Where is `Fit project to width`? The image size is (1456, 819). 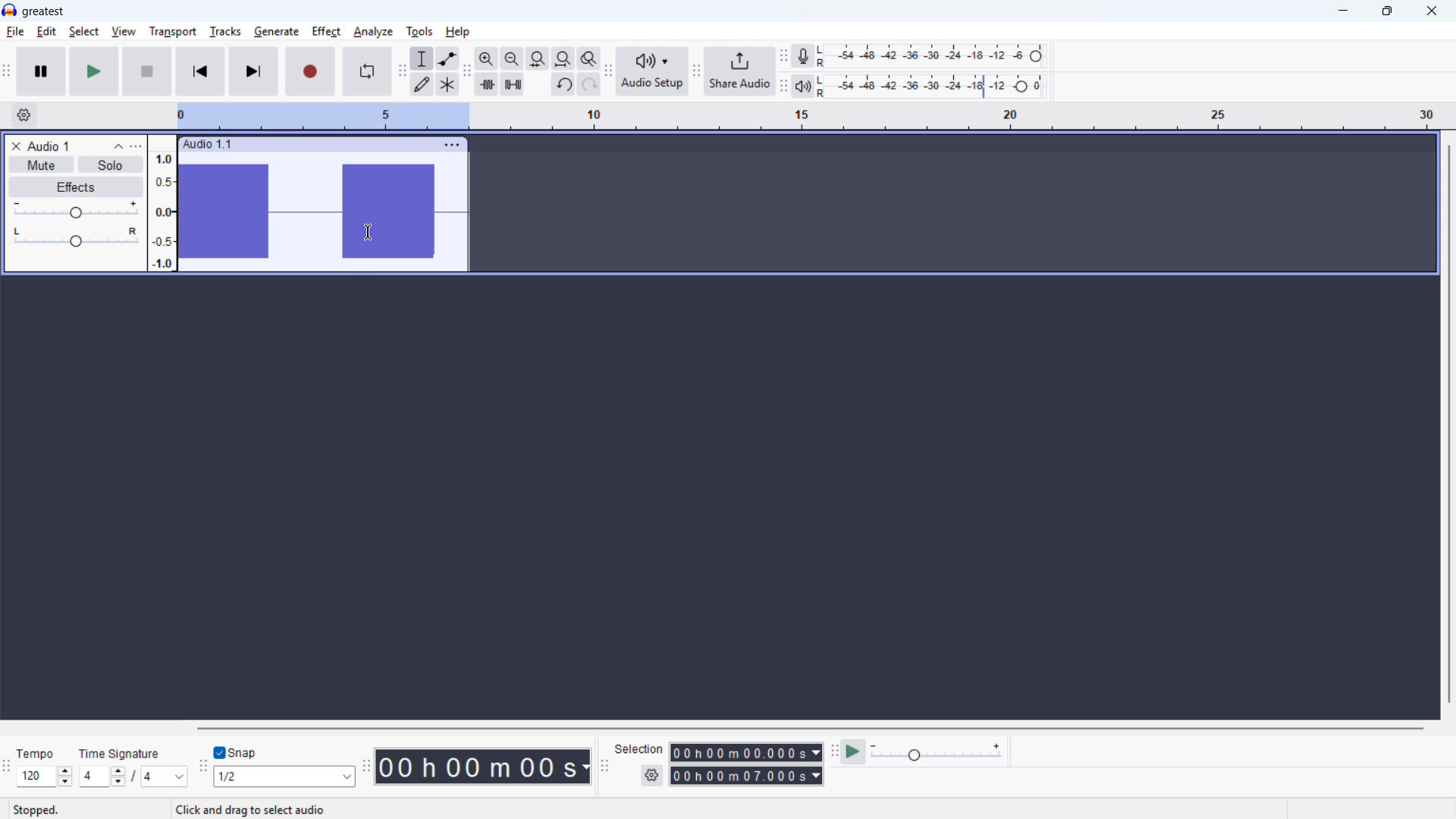 Fit project to width is located at coordinates (563, 59).